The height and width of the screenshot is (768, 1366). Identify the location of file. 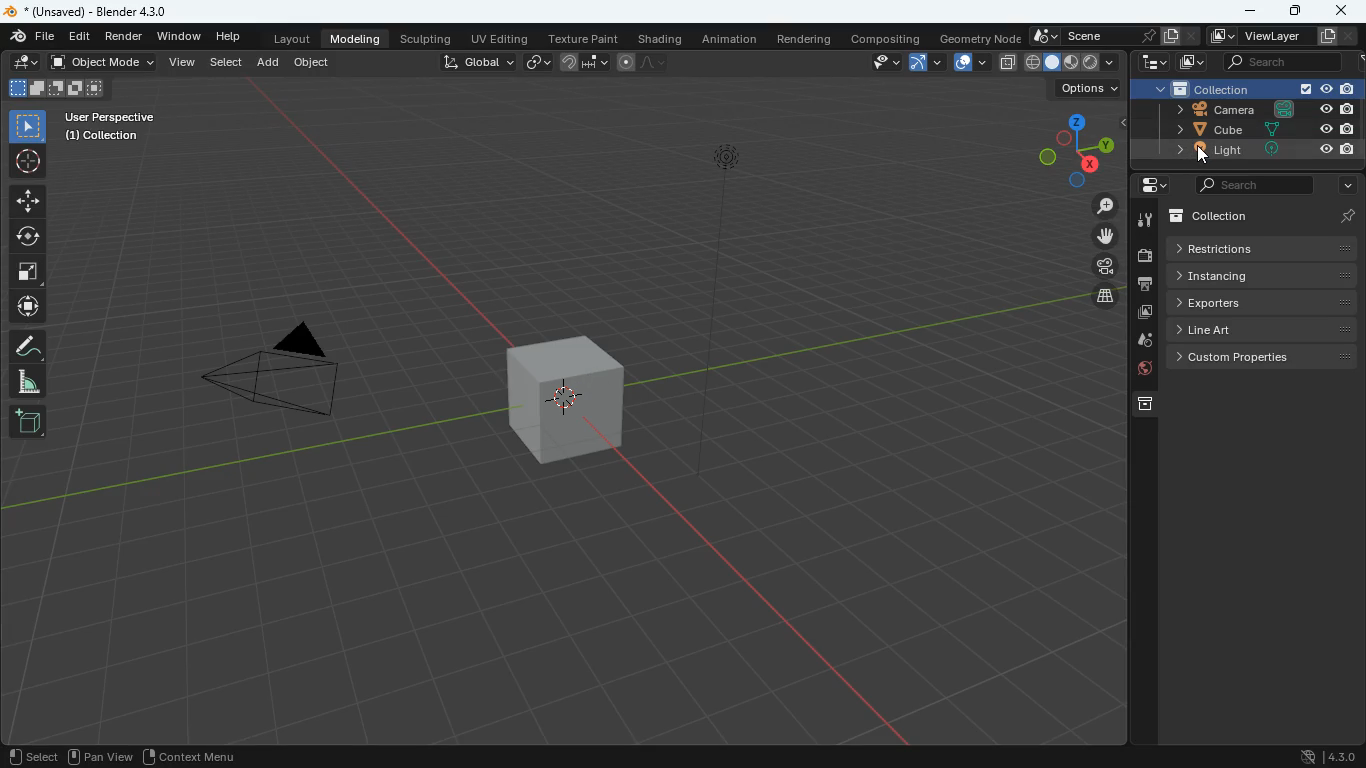
(30, 38).